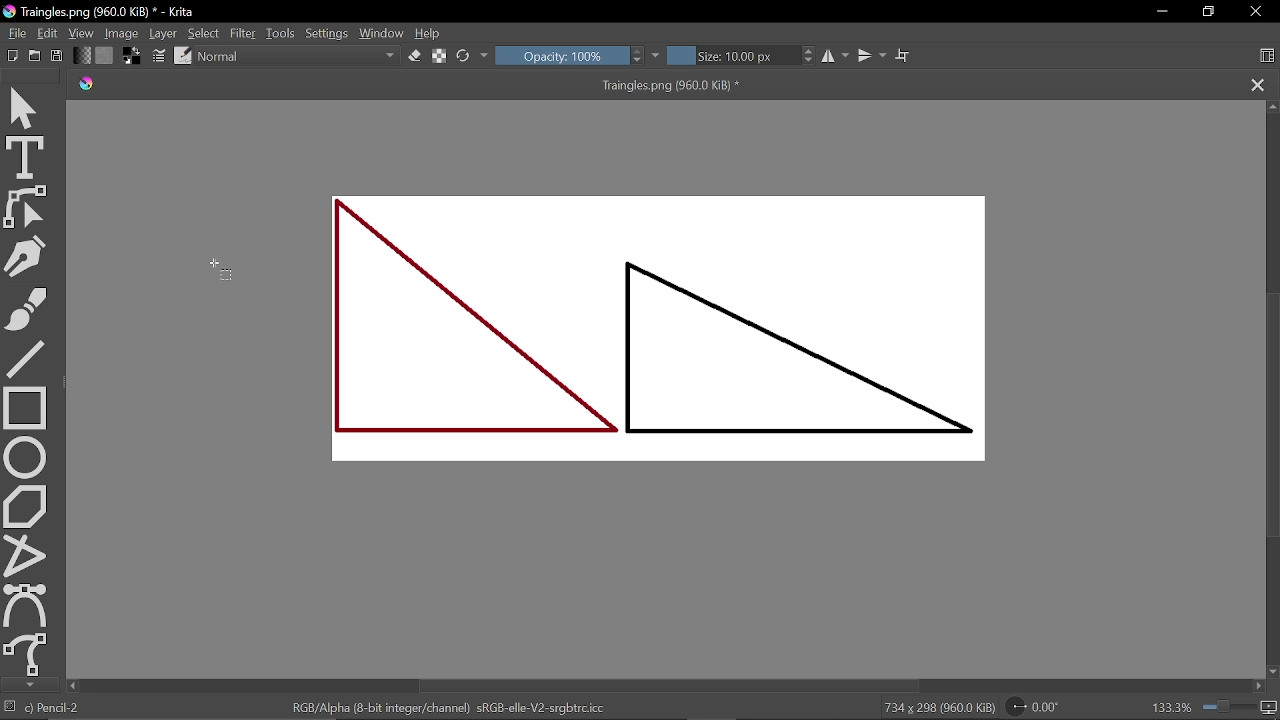 This screenshot has height=720, width=1280. What do you see at coordinates (1211, 13) in the screenshot?
I see `Restore down` at bounding box center [1211, 13].